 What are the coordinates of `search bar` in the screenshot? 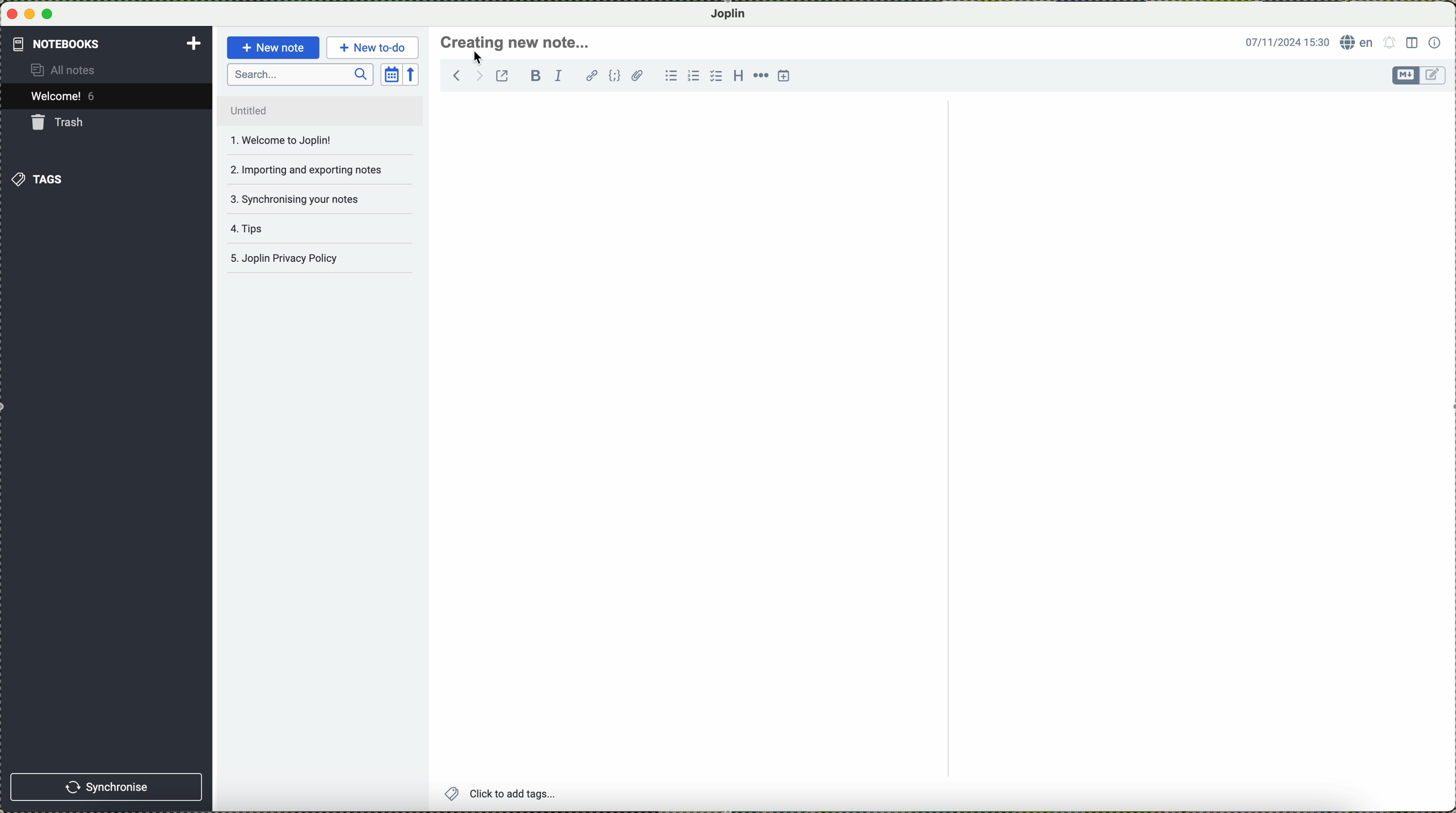 It's located at (300, 75).